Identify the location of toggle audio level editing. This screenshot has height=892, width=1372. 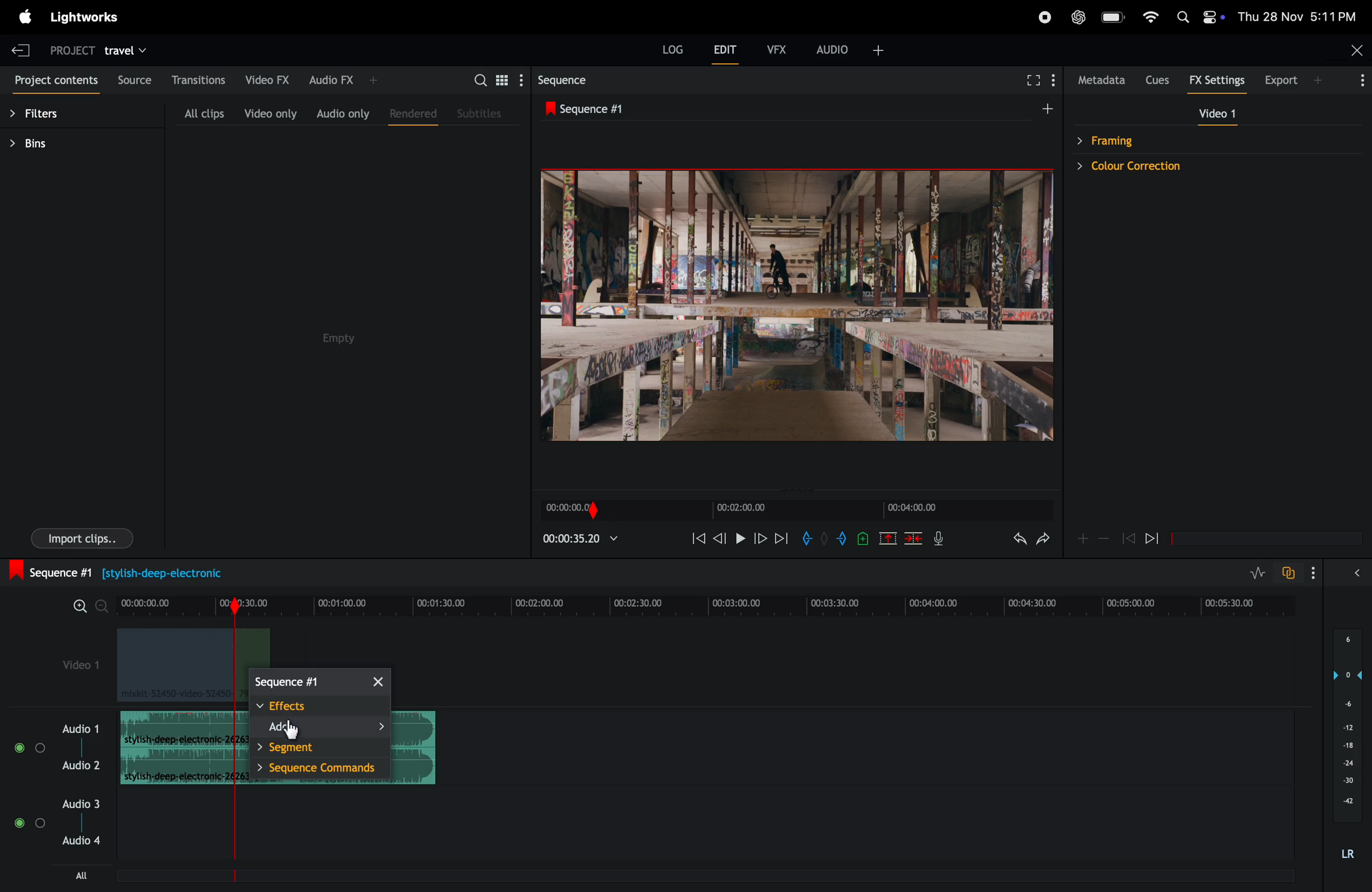
(1252, 572).